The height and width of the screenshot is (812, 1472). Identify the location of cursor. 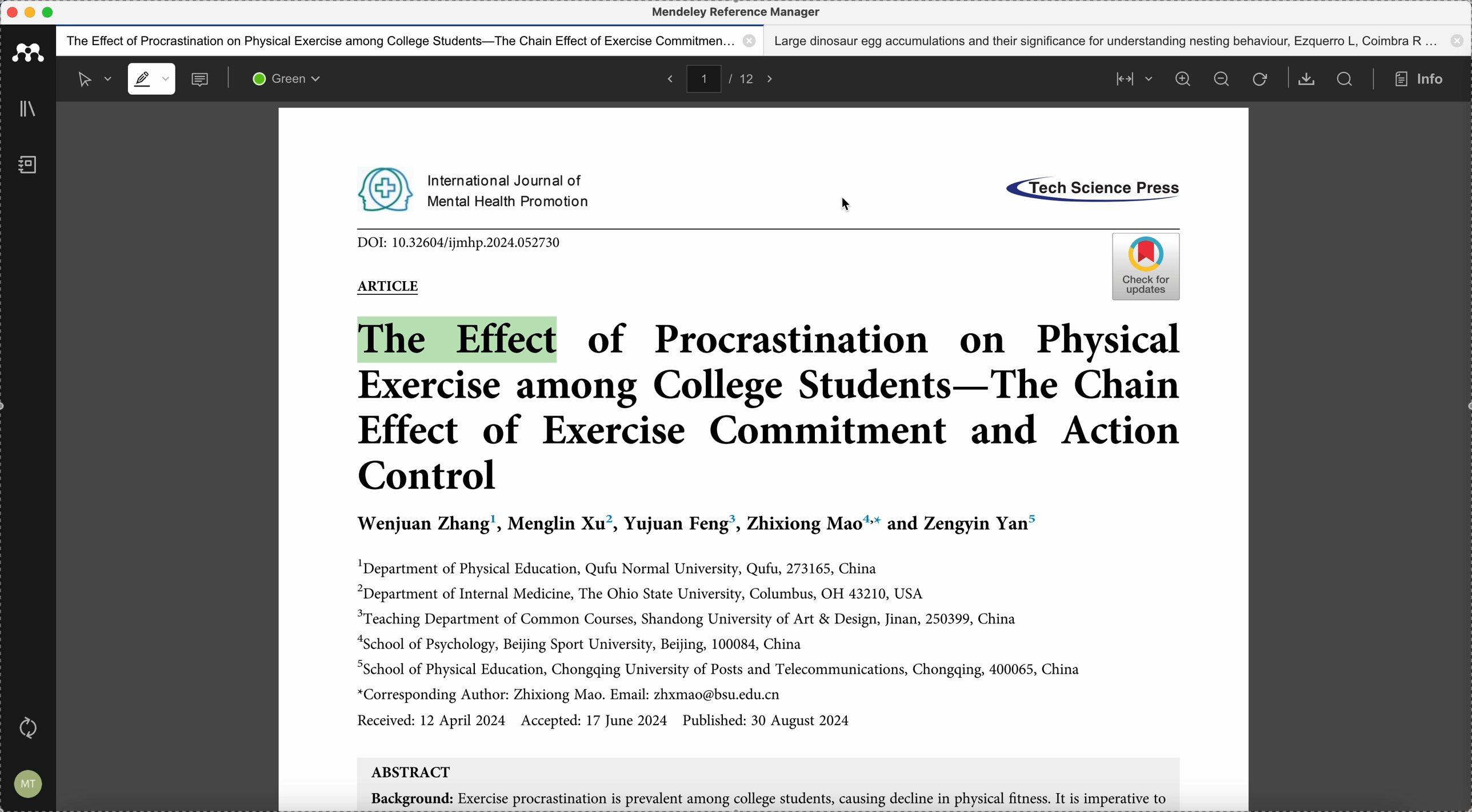
(846, 204).